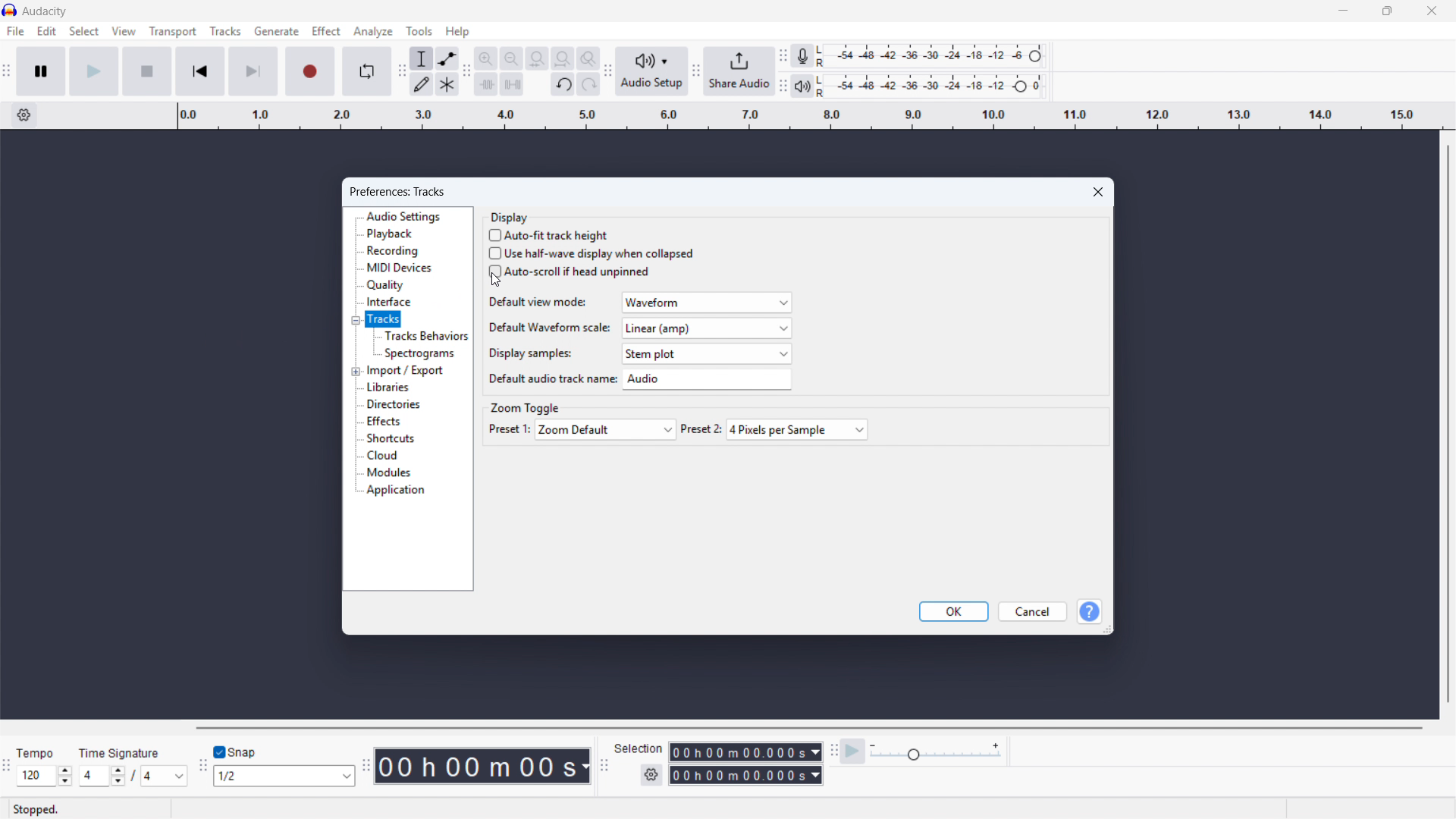 This screenshot has height=819, width=1456. What do you see at coordinates (852, 752) in the screenshot?
I see `play at speed ` at bounding box center [852, 752].